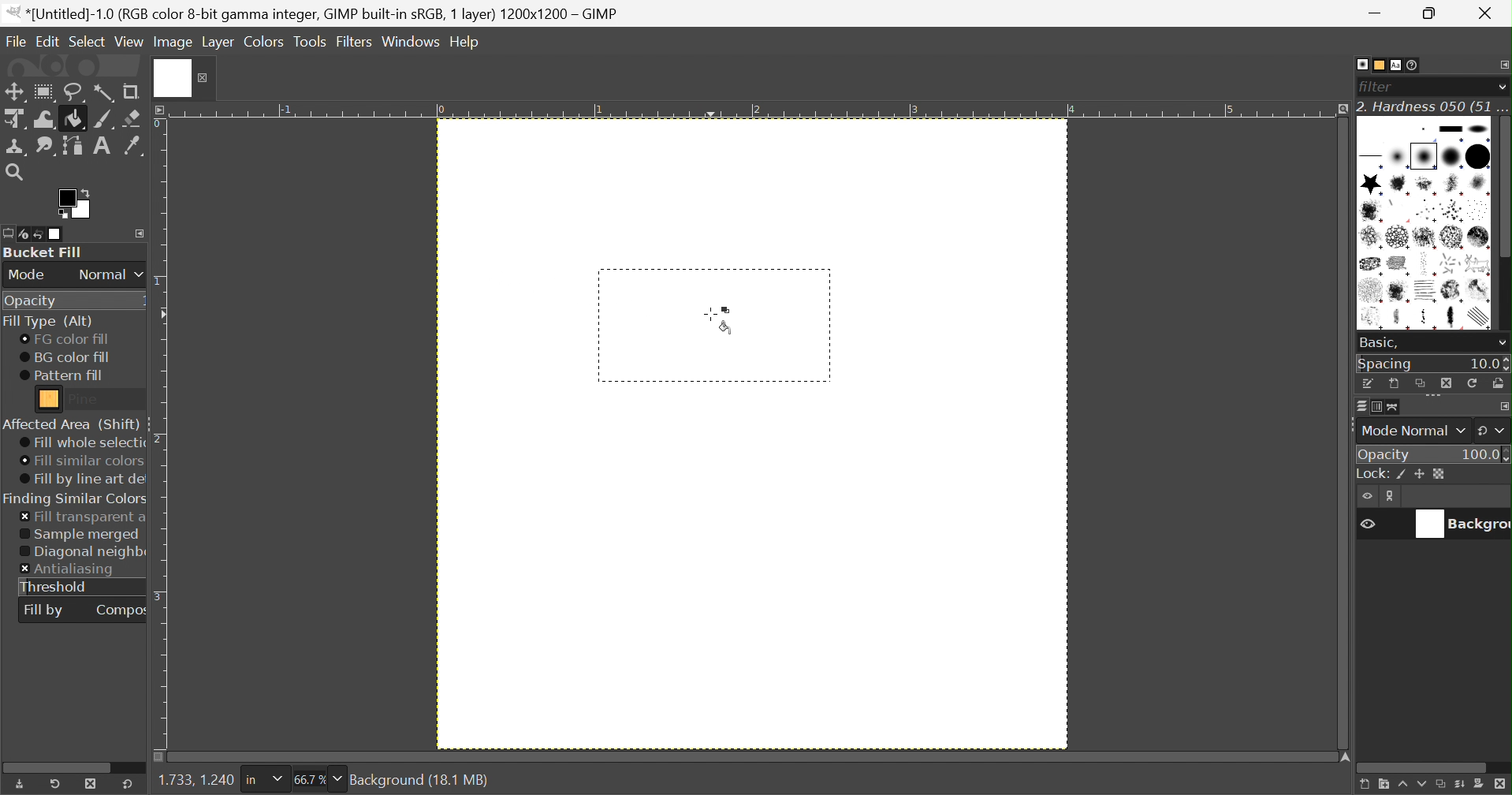 The width and height of the screenshot is (1512, 795). What do you see at coordinates (1485, 453) in the screenshot?
I see `100.0` at bounding box center [1485, 453].